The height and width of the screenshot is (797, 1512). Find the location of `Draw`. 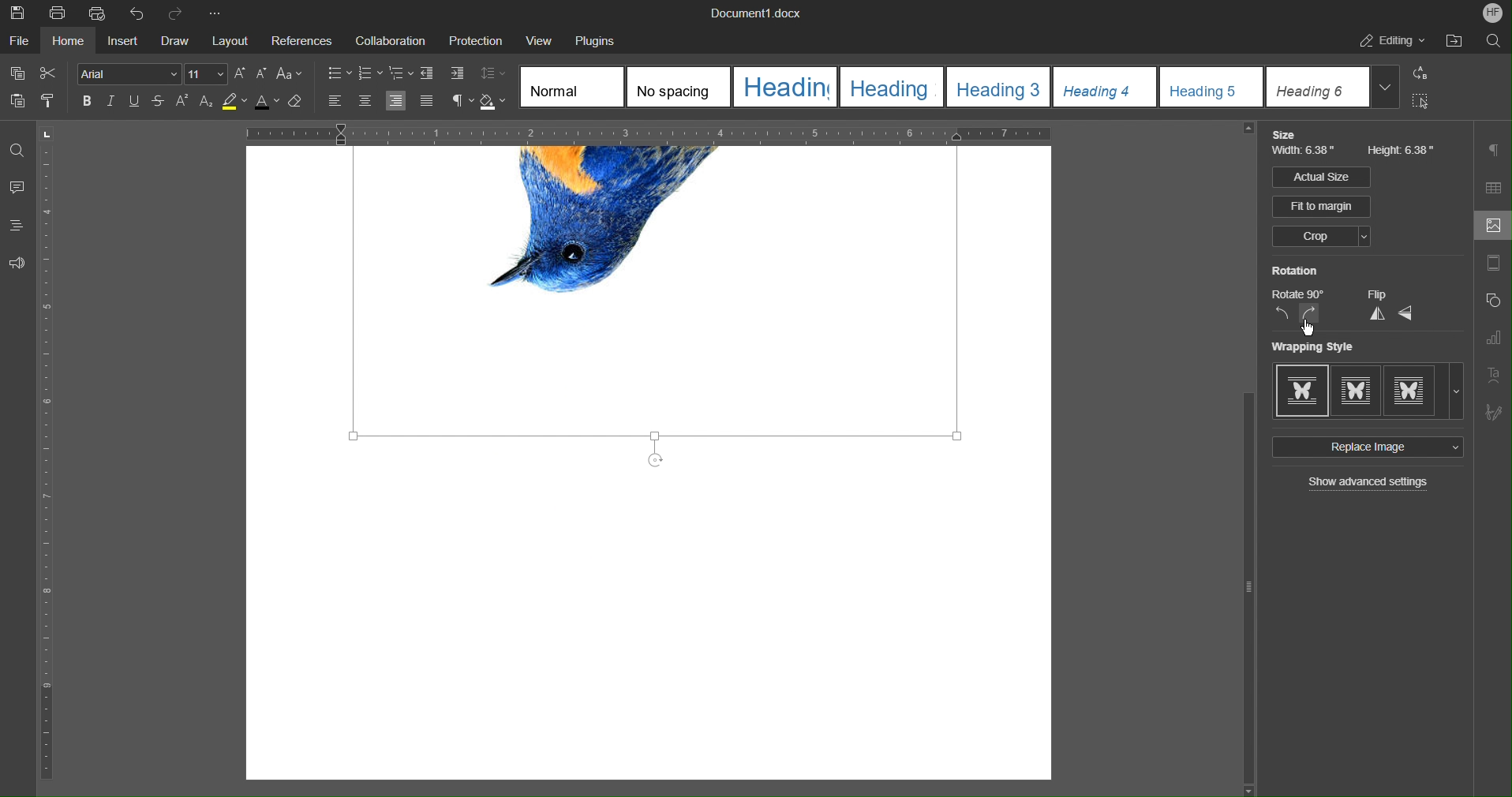

Draw is located at coordinates (175, 39).